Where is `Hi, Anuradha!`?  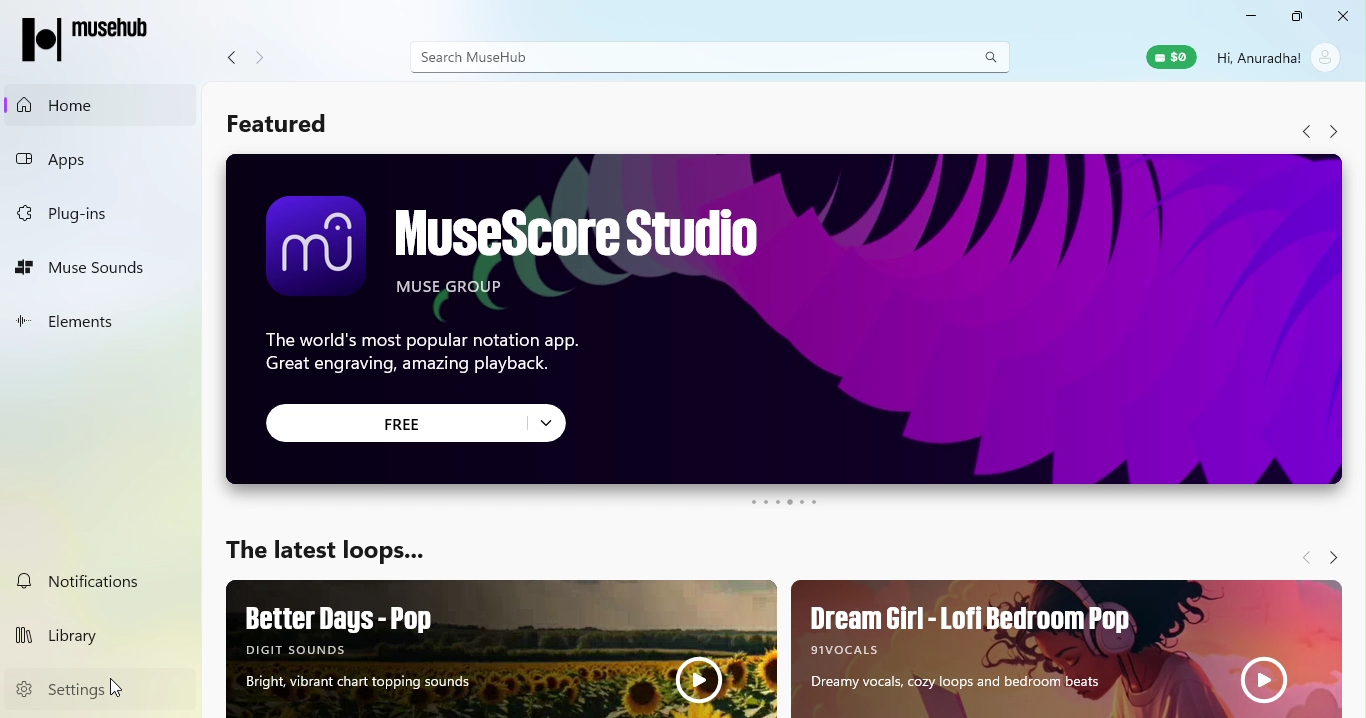
Hi, Anuradha! is located at coordinates (1258, 55).